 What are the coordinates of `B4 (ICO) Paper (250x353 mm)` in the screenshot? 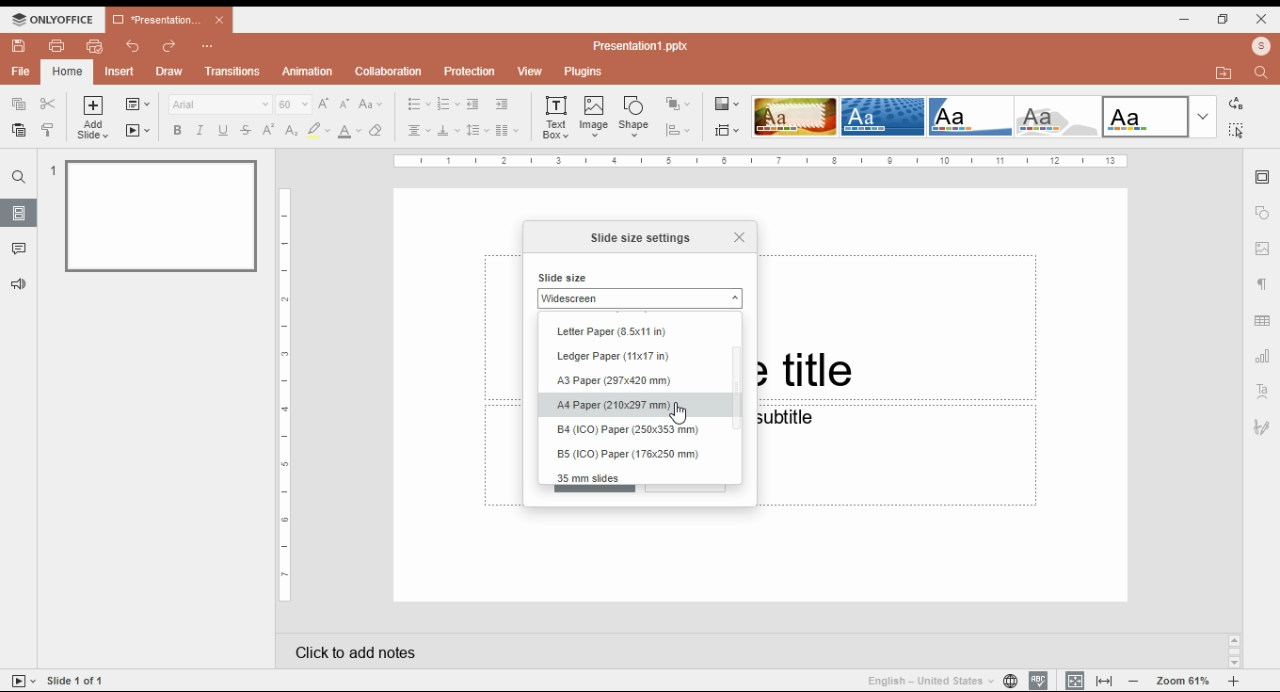 It's located at (633, 431).